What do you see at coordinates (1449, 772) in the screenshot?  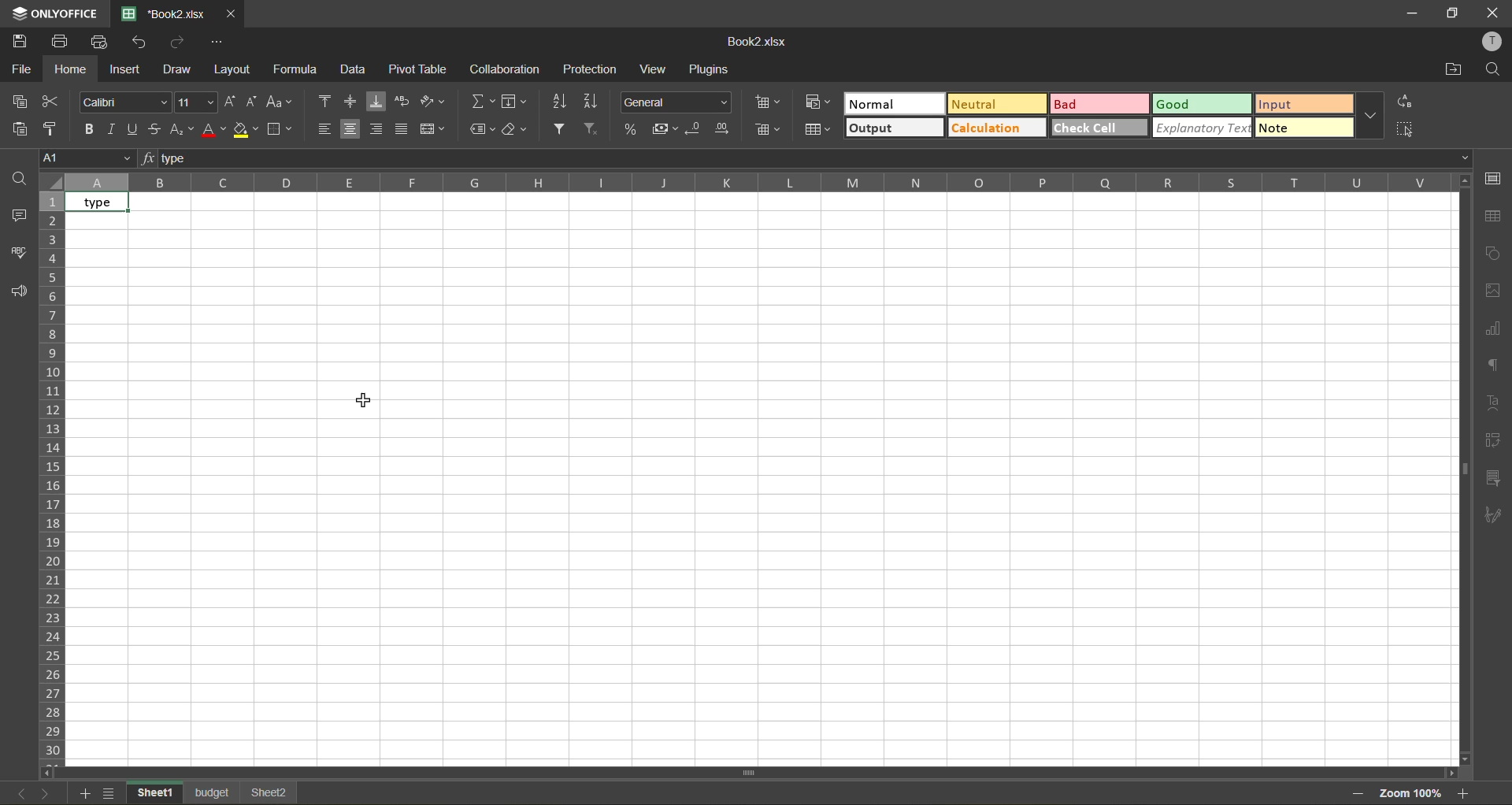 I see `move right` at bounding box center [1449, 772].